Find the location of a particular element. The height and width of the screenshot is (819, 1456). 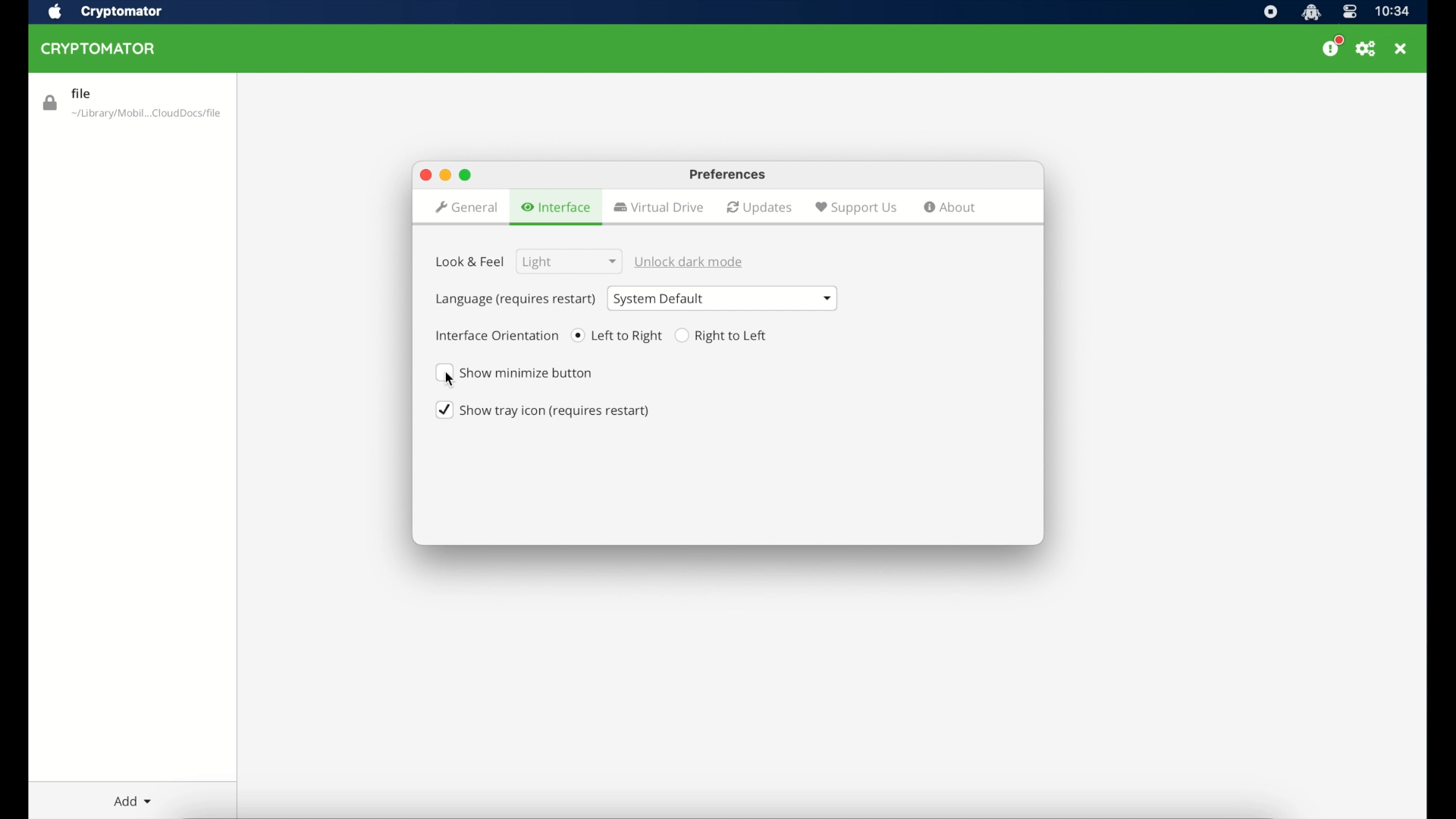

time is located at coordinates (1391, 11).